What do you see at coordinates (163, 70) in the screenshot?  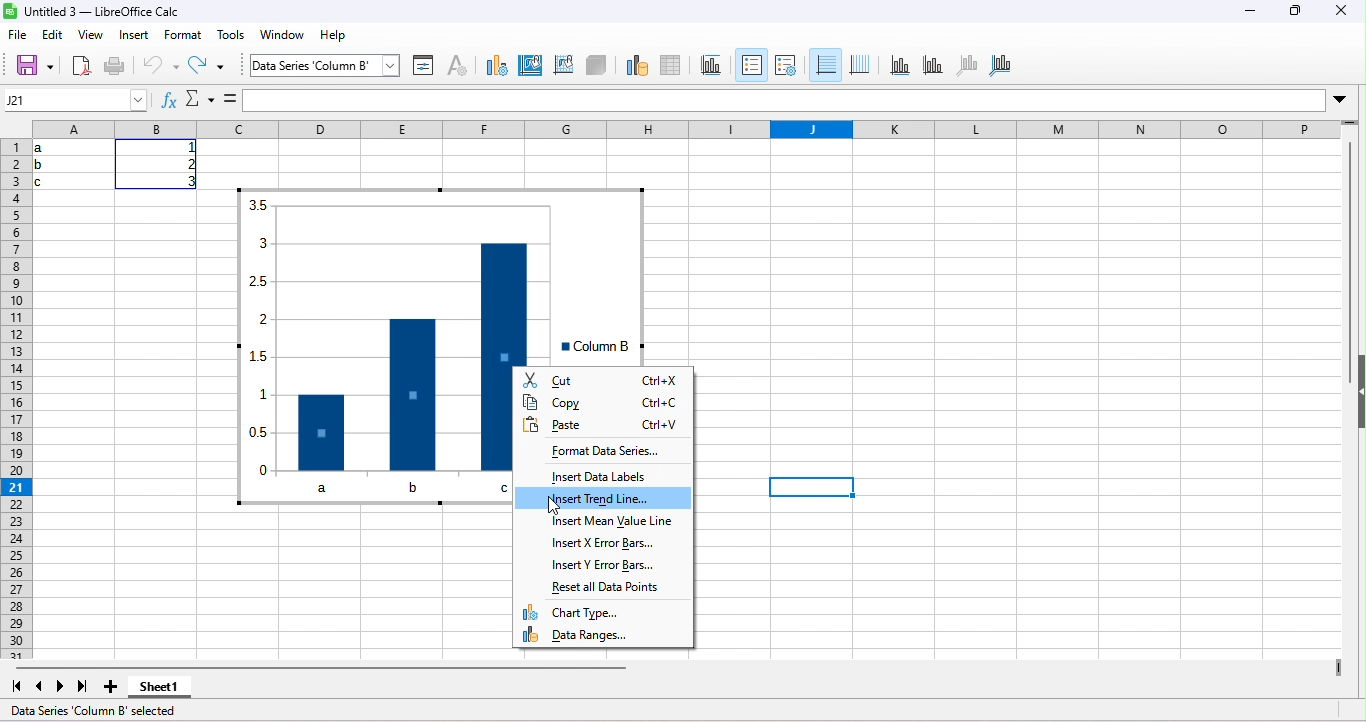 I see `undo` at bounding box center [163, 70].